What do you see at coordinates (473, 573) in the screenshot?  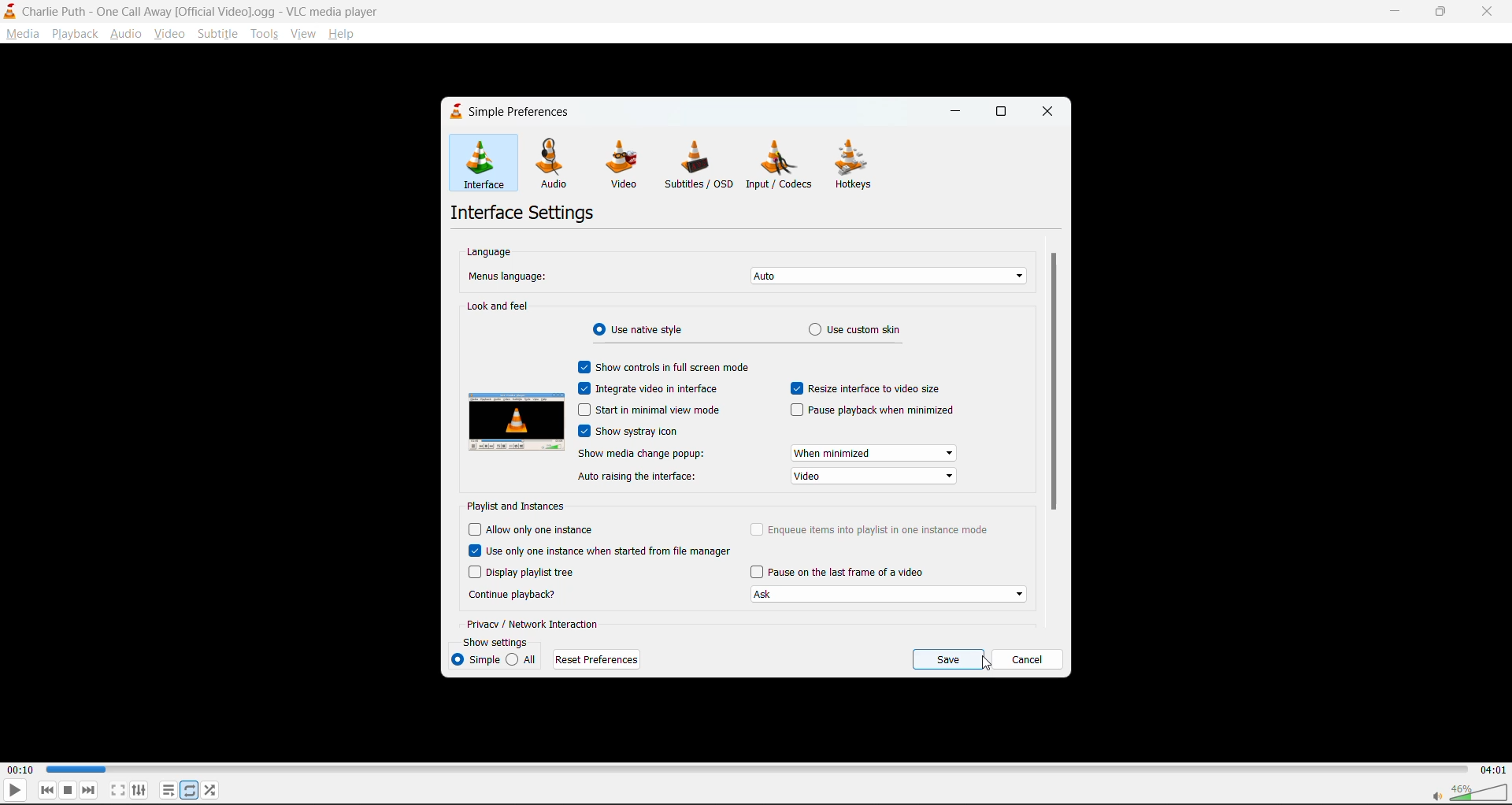 I see `Checbox` at bounding box center [473, 573].